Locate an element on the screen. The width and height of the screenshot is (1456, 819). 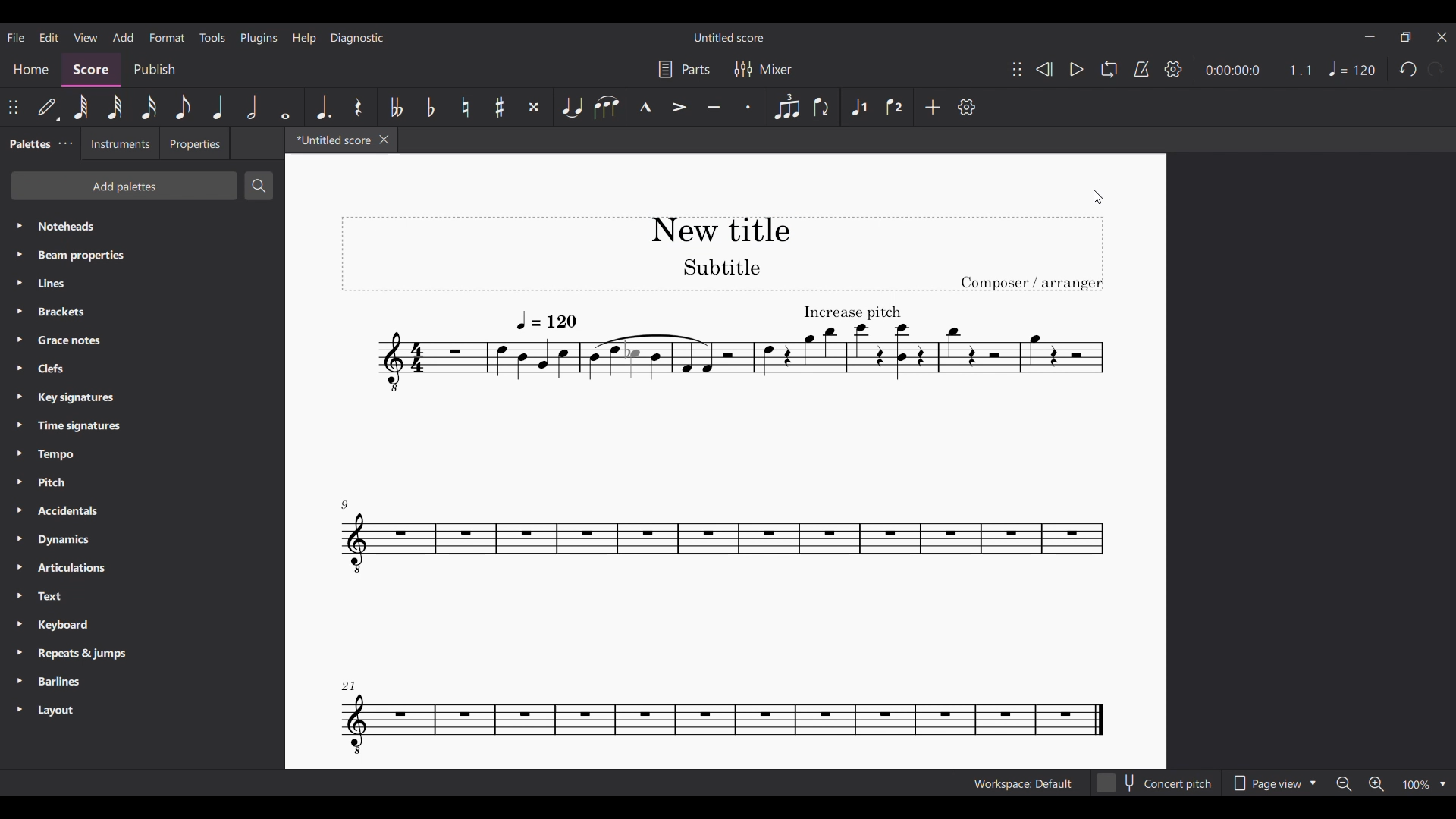
Close tab is located at coordinates (384, 139).